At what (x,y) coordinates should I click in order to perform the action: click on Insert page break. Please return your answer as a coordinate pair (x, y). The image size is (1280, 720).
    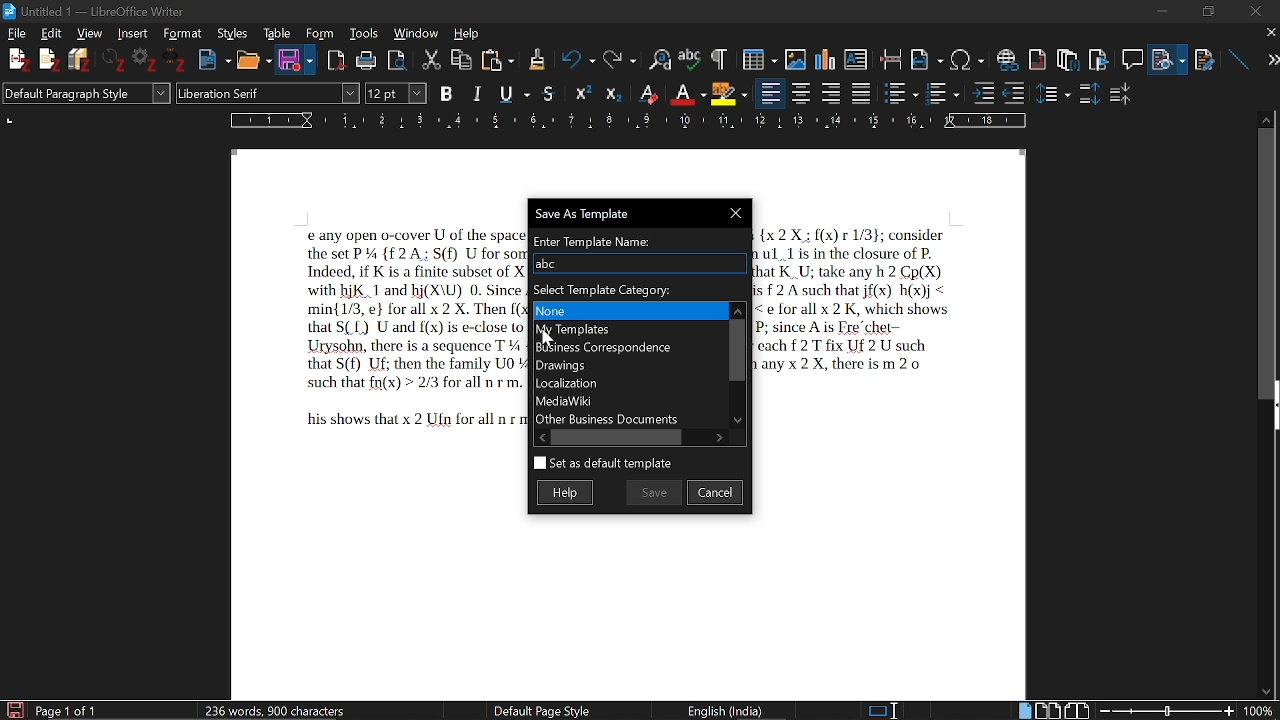
    Looking at the image, I should click on (891, 56).